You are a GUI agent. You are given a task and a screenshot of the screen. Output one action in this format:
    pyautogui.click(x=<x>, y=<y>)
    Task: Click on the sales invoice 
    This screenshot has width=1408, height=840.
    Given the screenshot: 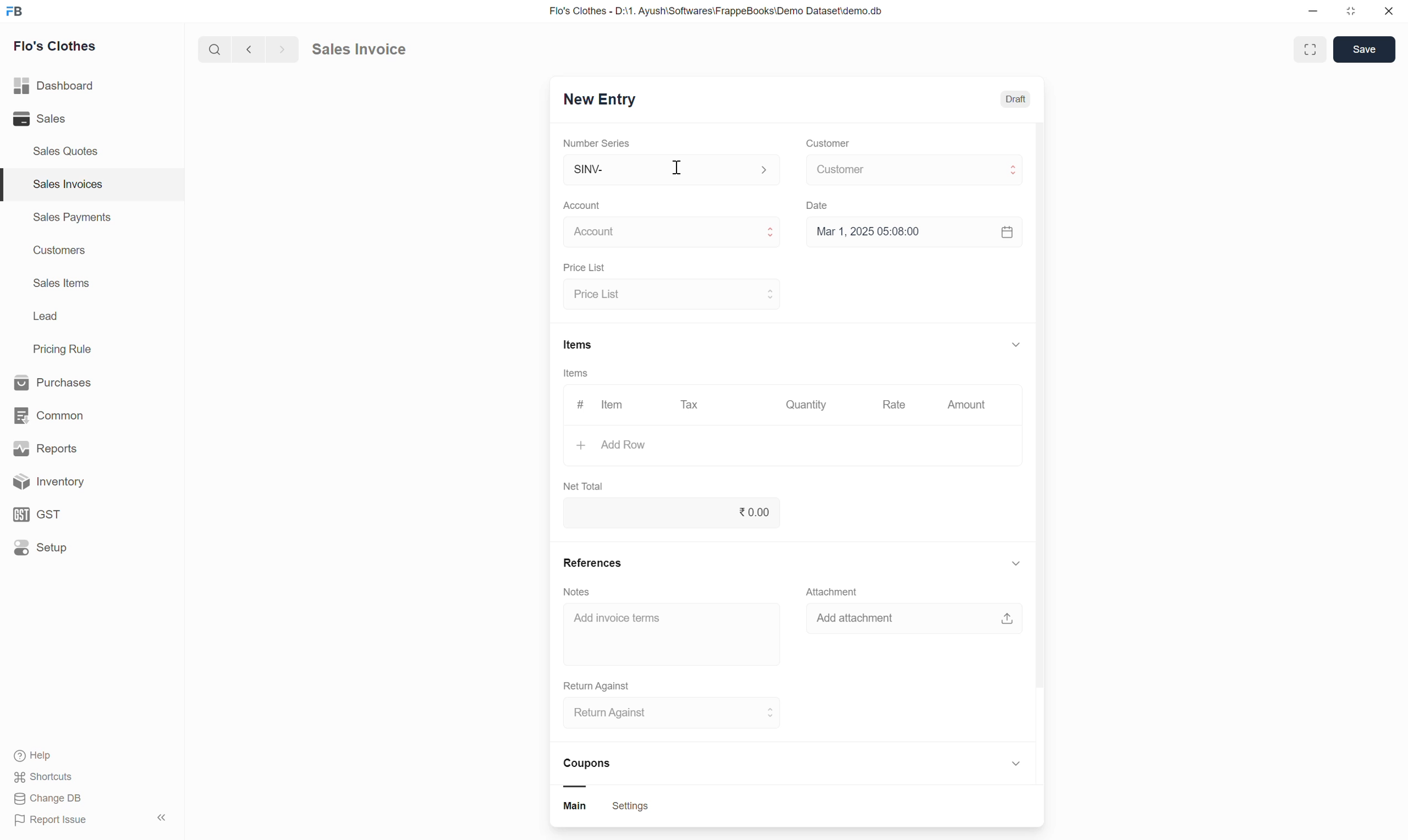 What is the action you would take?
    pyautogui.click(x=374, y=48)
    